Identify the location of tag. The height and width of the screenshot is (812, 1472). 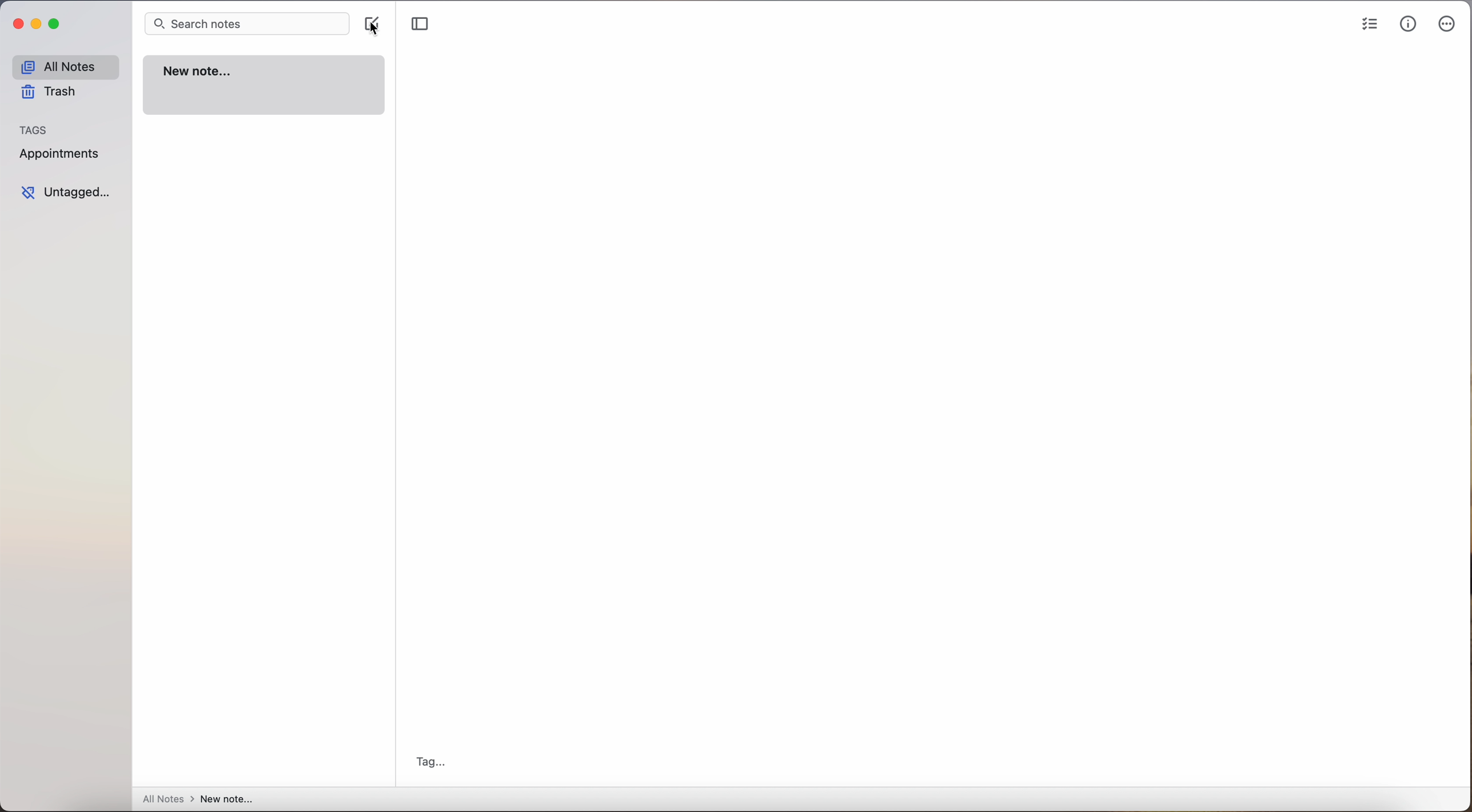
(430, 763).